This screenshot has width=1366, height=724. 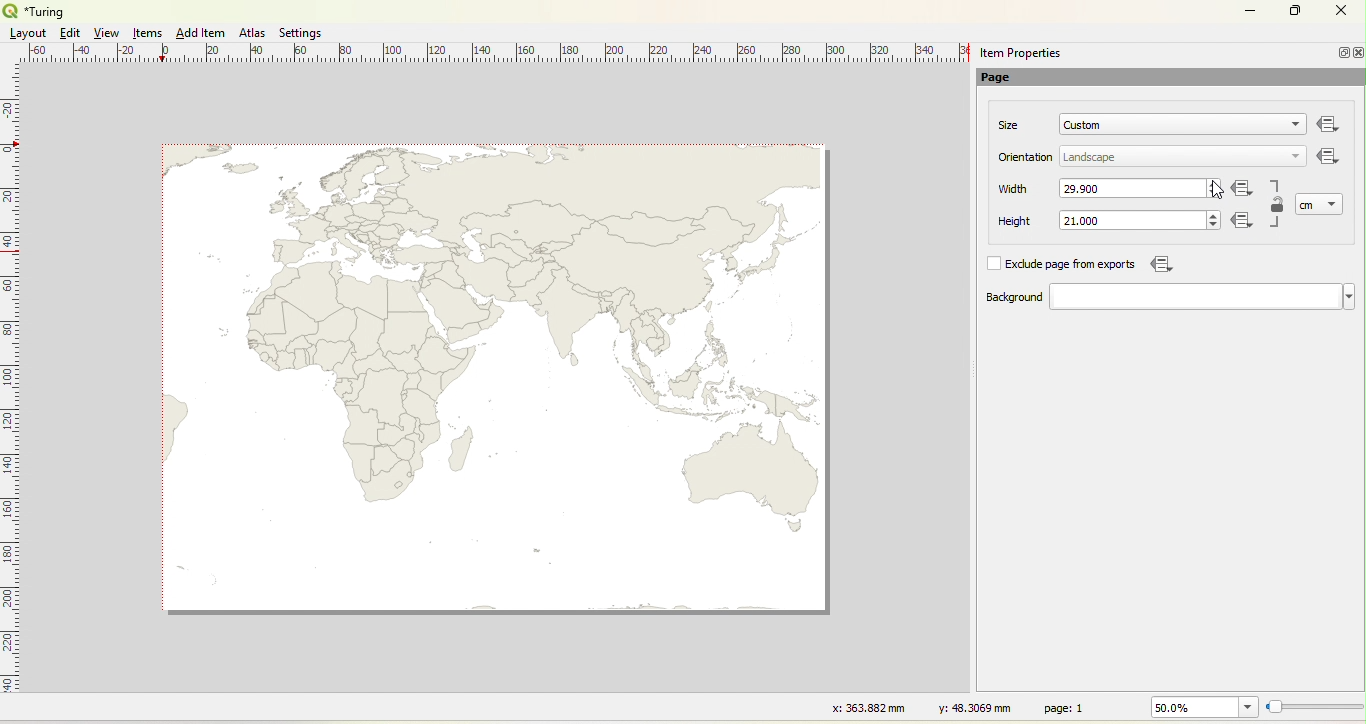 What do you see at coordinates (992, 263) in the screenshot?
I see `Check box` at bounding box center [992, 263].